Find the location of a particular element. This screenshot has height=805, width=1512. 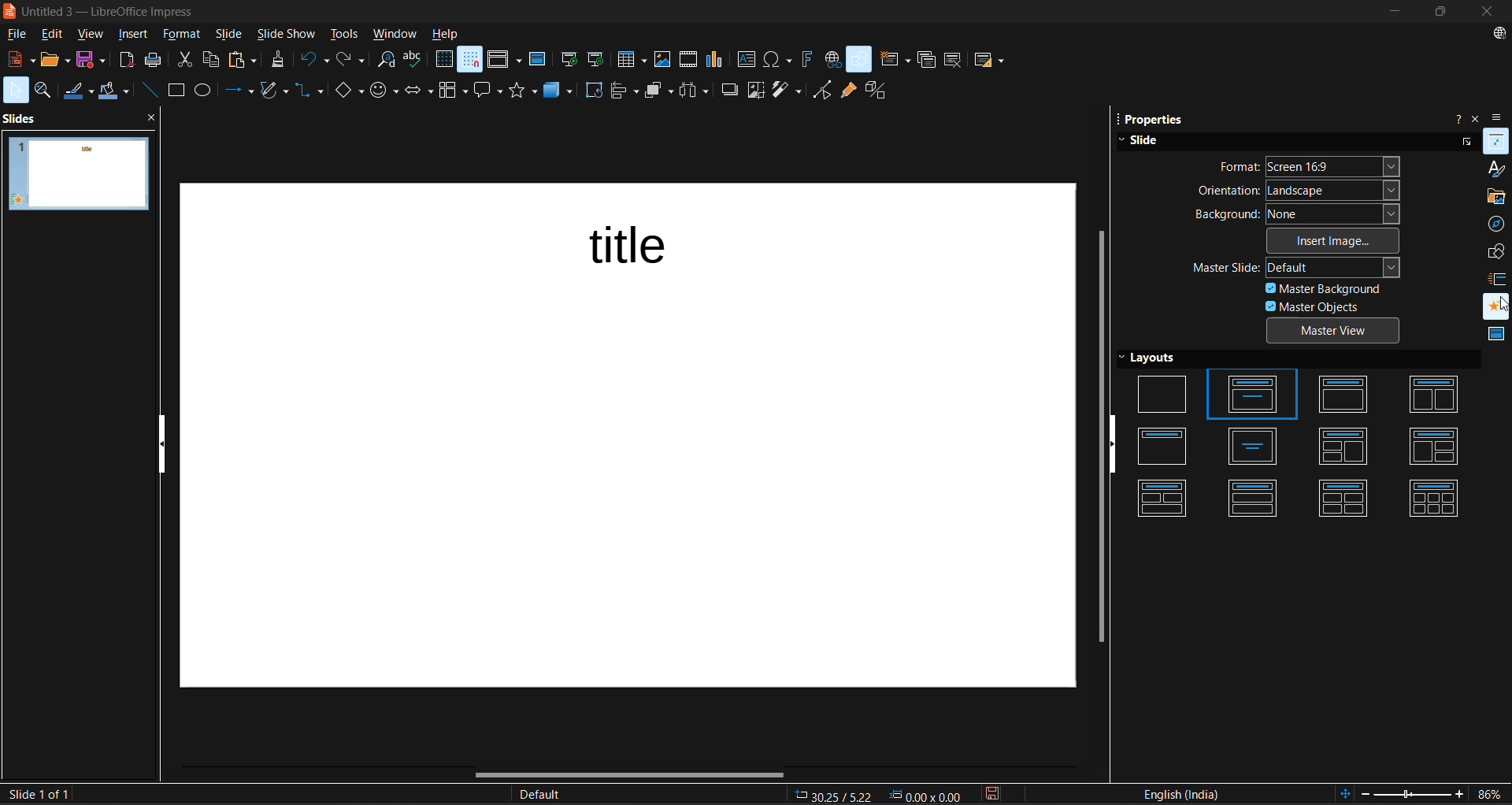

fit to slide is located at coordinates (1347, 795).